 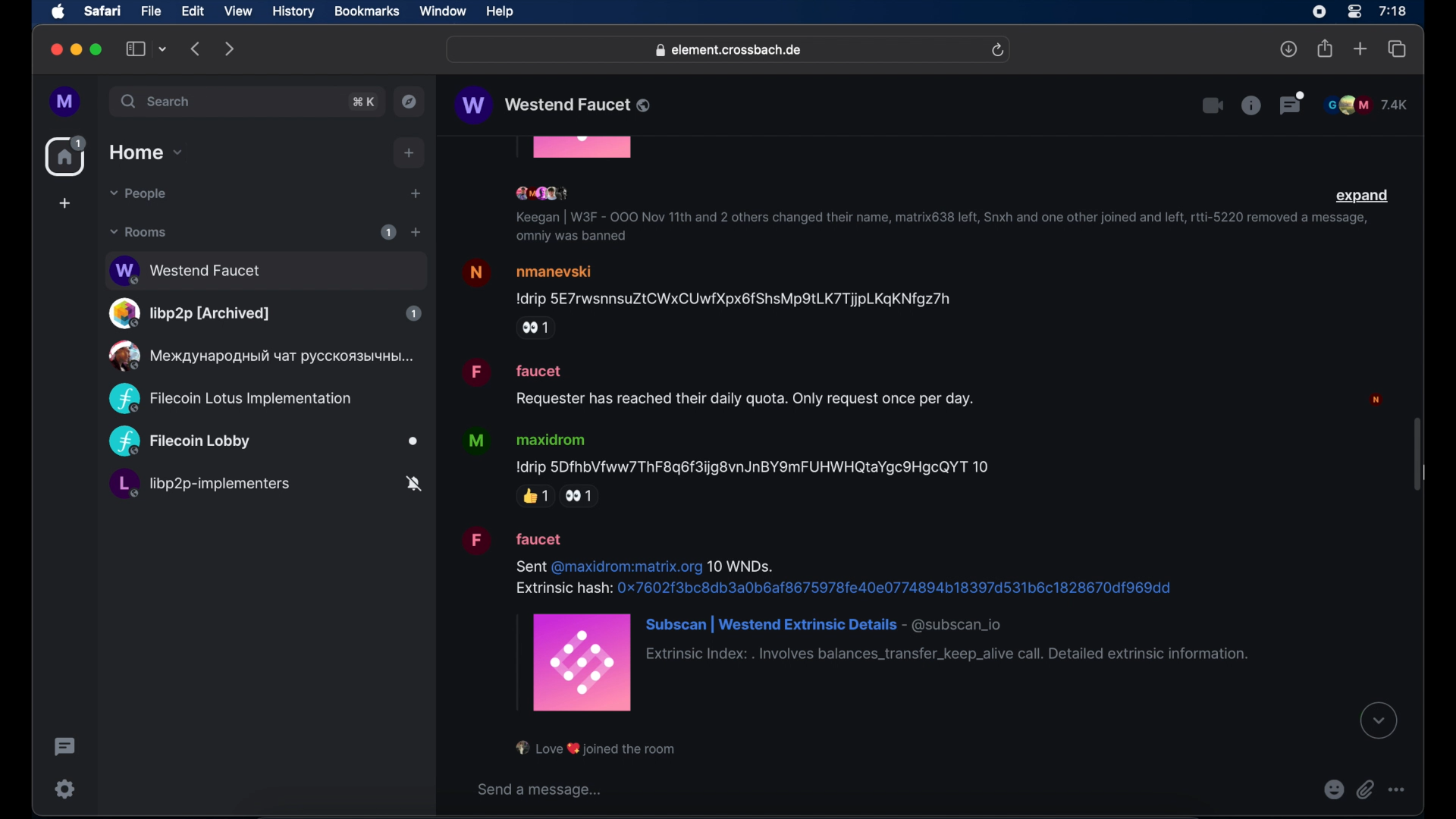 I want to click on public room, so click(x=230, y=399).